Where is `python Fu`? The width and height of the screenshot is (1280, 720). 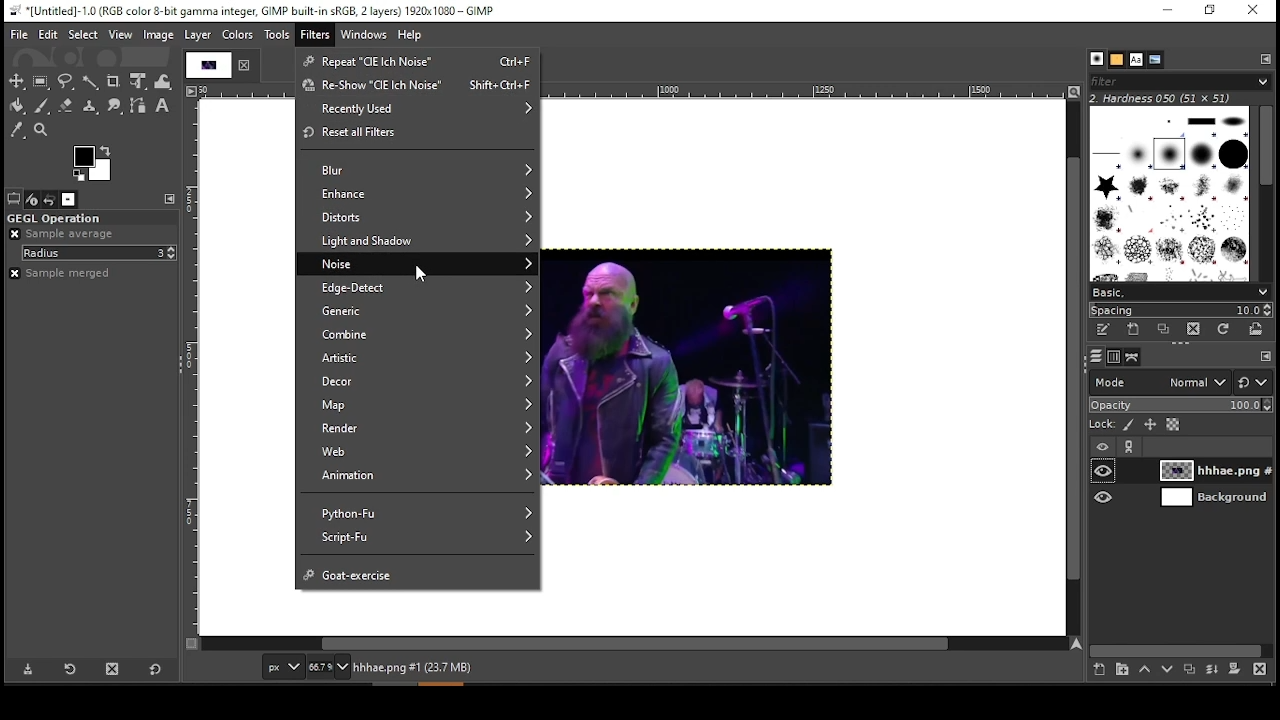 python Fu is located at coordinates (419, 508).